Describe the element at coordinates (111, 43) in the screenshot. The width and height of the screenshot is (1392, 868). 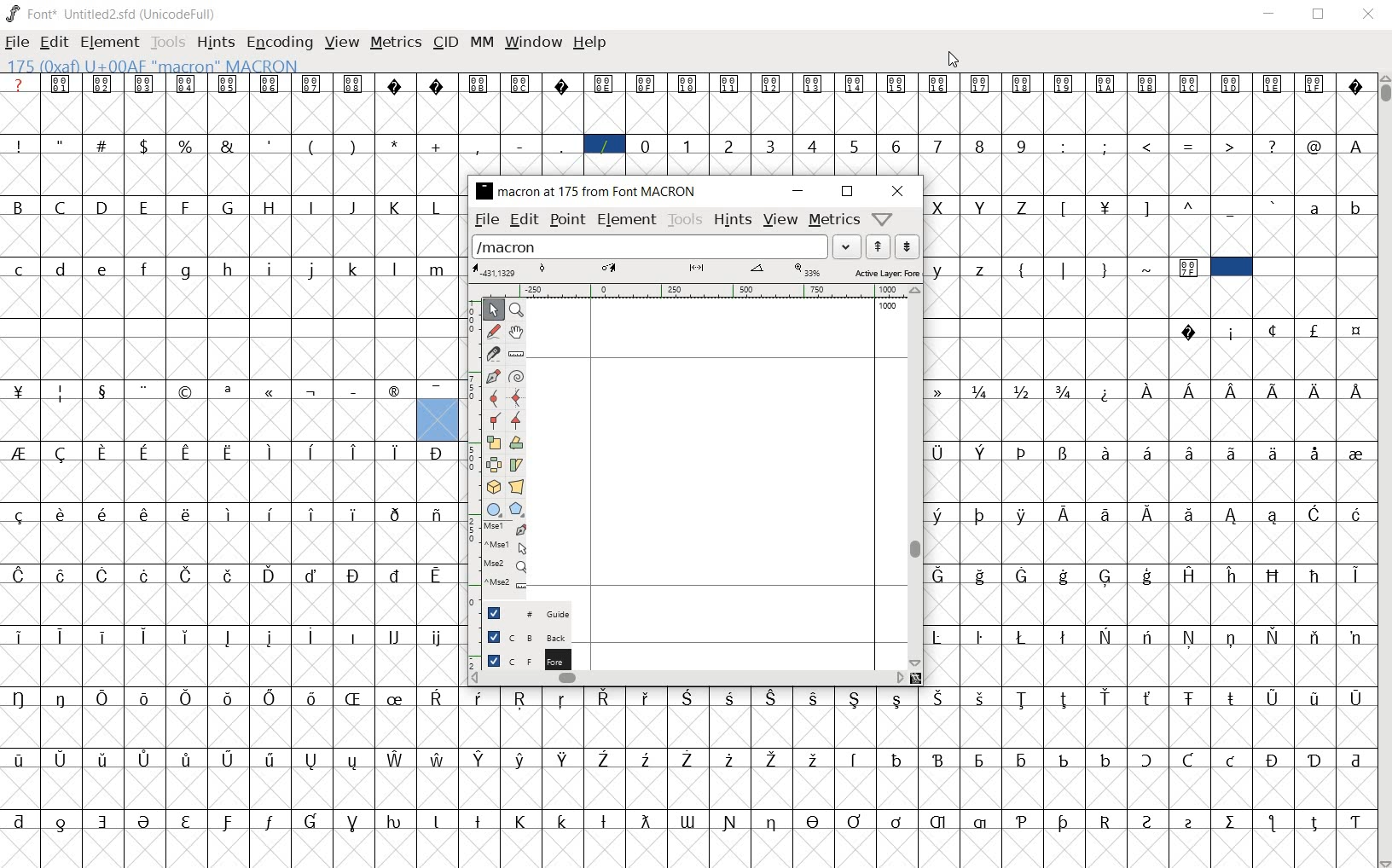
I see `element` at that location.